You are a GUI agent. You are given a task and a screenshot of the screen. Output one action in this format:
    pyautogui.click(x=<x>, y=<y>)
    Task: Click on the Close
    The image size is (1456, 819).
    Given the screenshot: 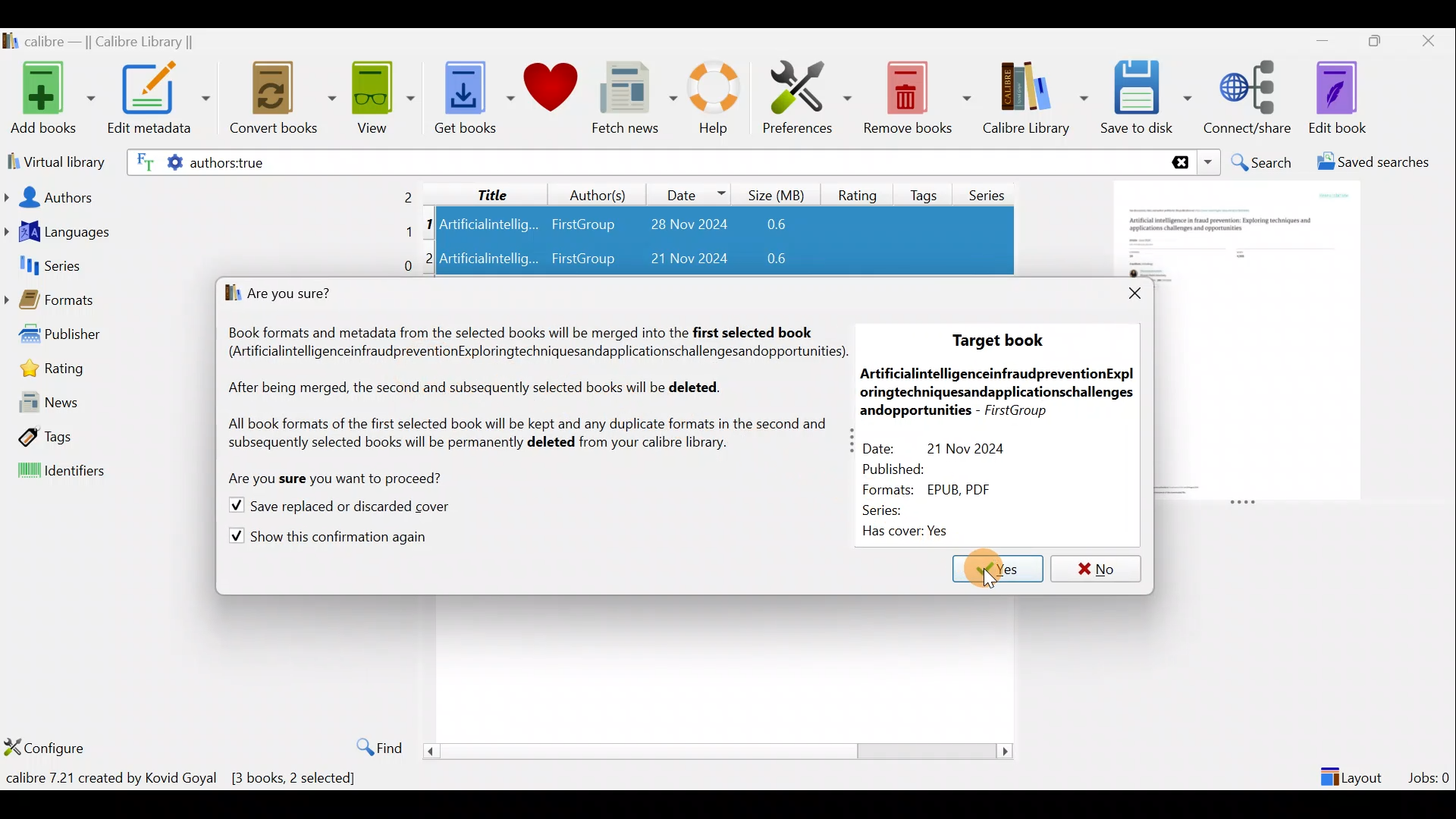 What is the action you would take?
    pyautogui.click(x=1432, y=40)
    